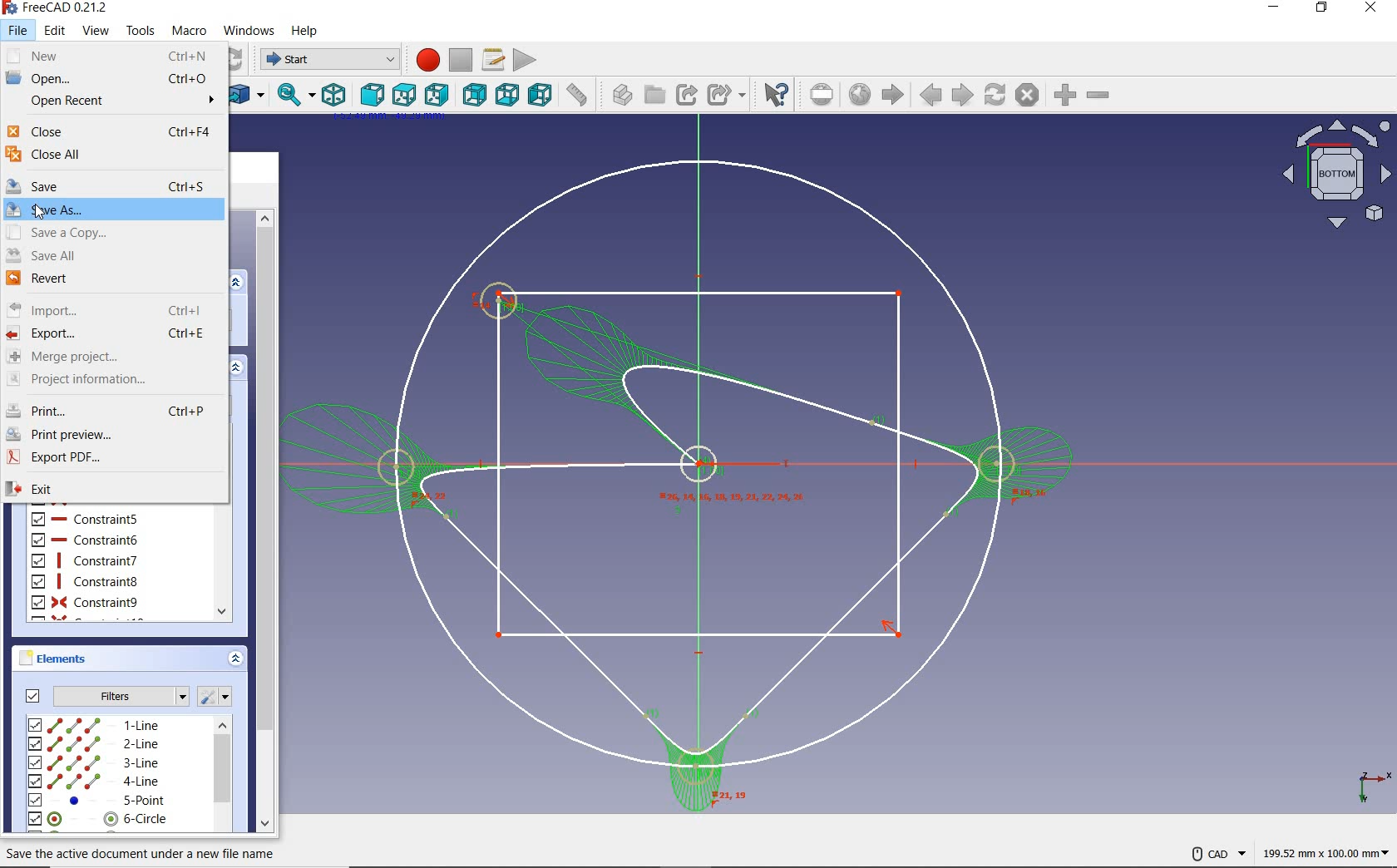 This screenshot has width=1397, height=868. What do you see at coordinates (141, 853) in the screenshot?
I see `save the active document under a new file name` at bounding box center [141, 853].